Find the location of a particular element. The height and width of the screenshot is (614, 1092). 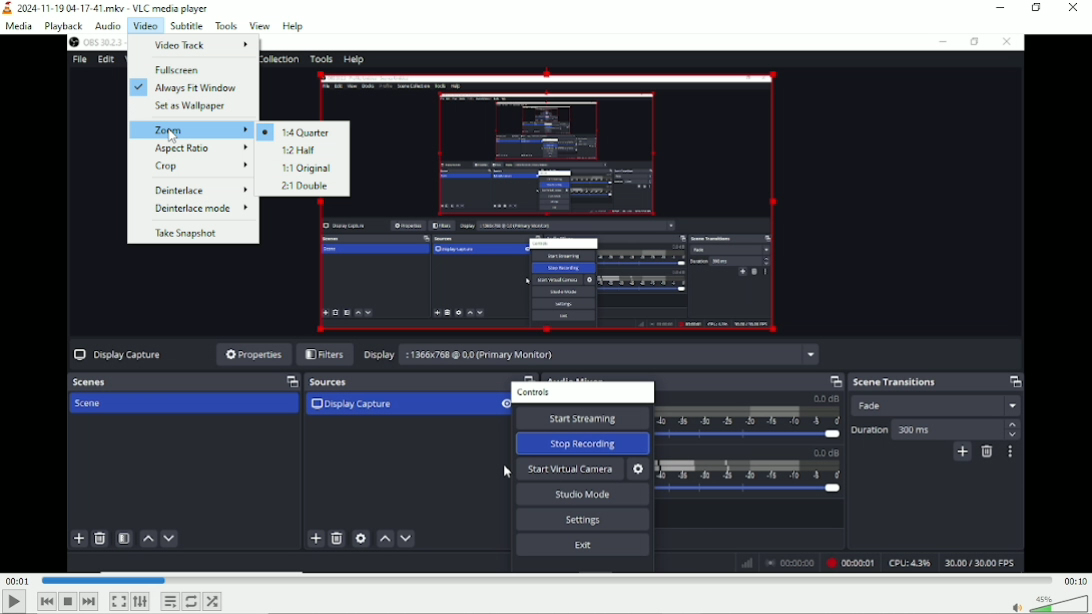

Zoom is located at coordinates (191, 130).